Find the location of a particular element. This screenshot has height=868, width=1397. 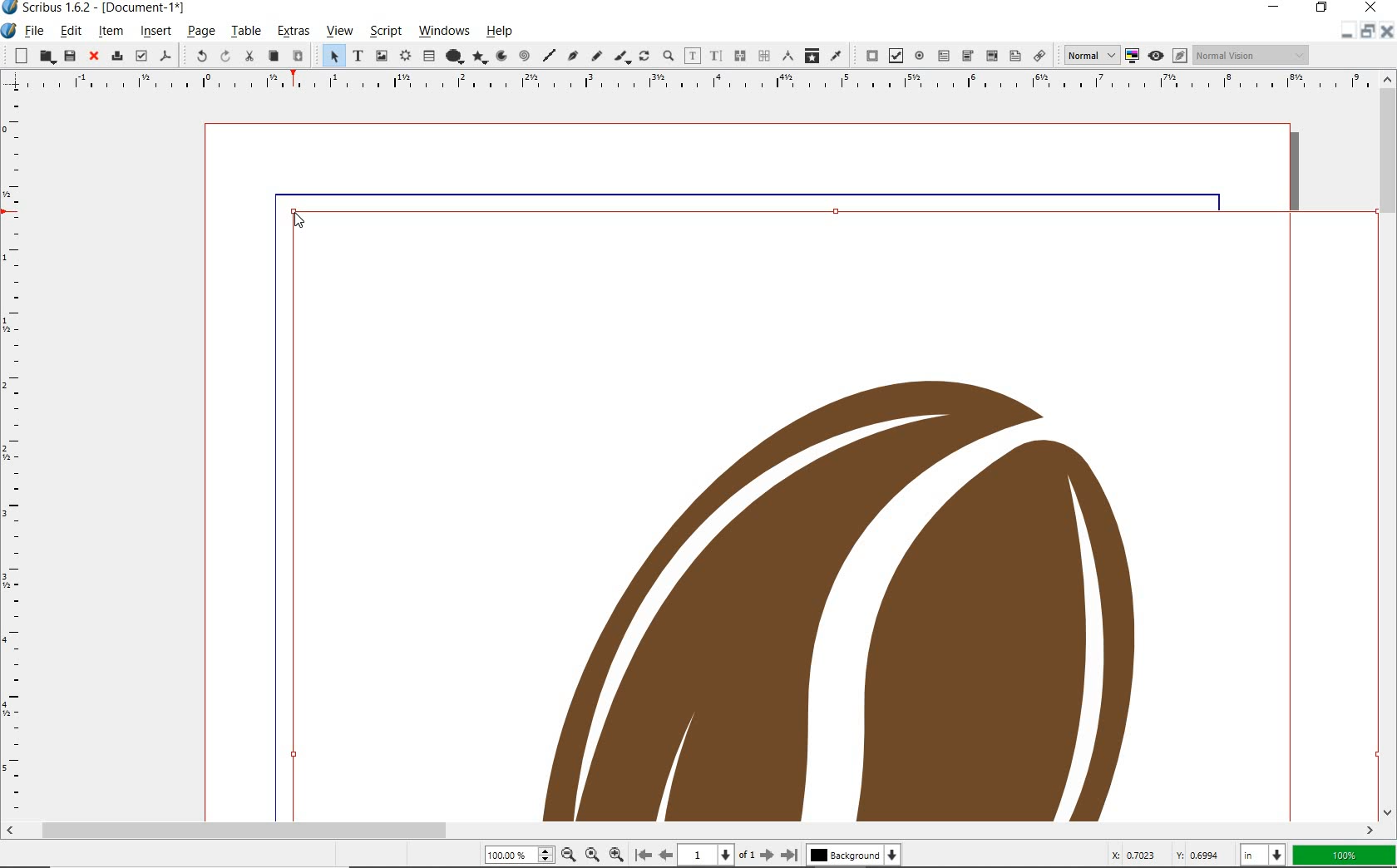

arc is located at coordinates (505, 55).